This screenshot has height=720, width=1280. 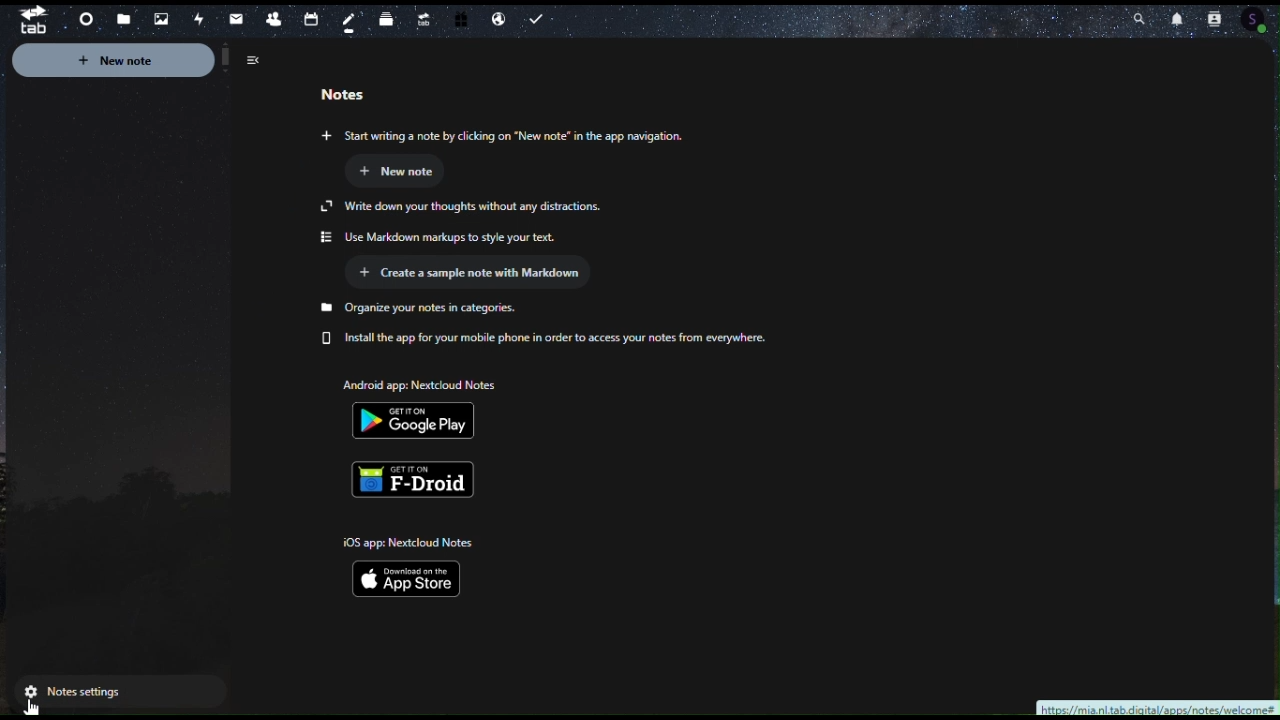 I want to click on Photos, so click(x=157, y=17).